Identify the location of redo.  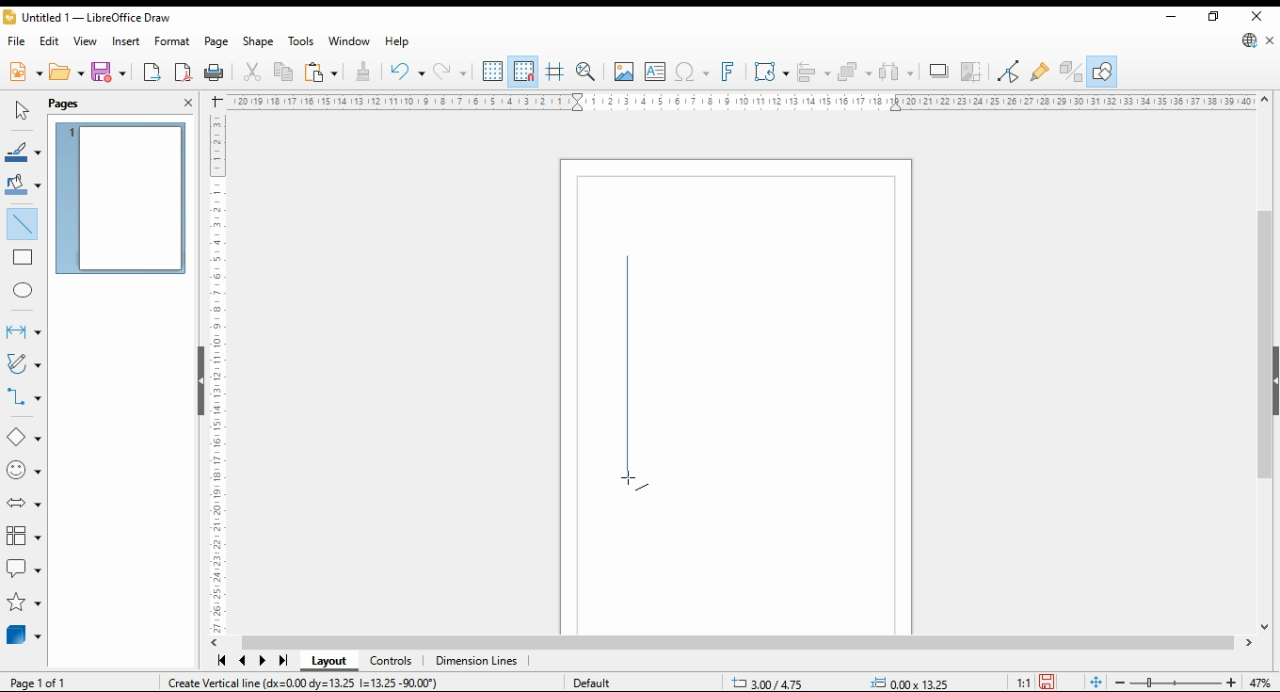
(406, 73).